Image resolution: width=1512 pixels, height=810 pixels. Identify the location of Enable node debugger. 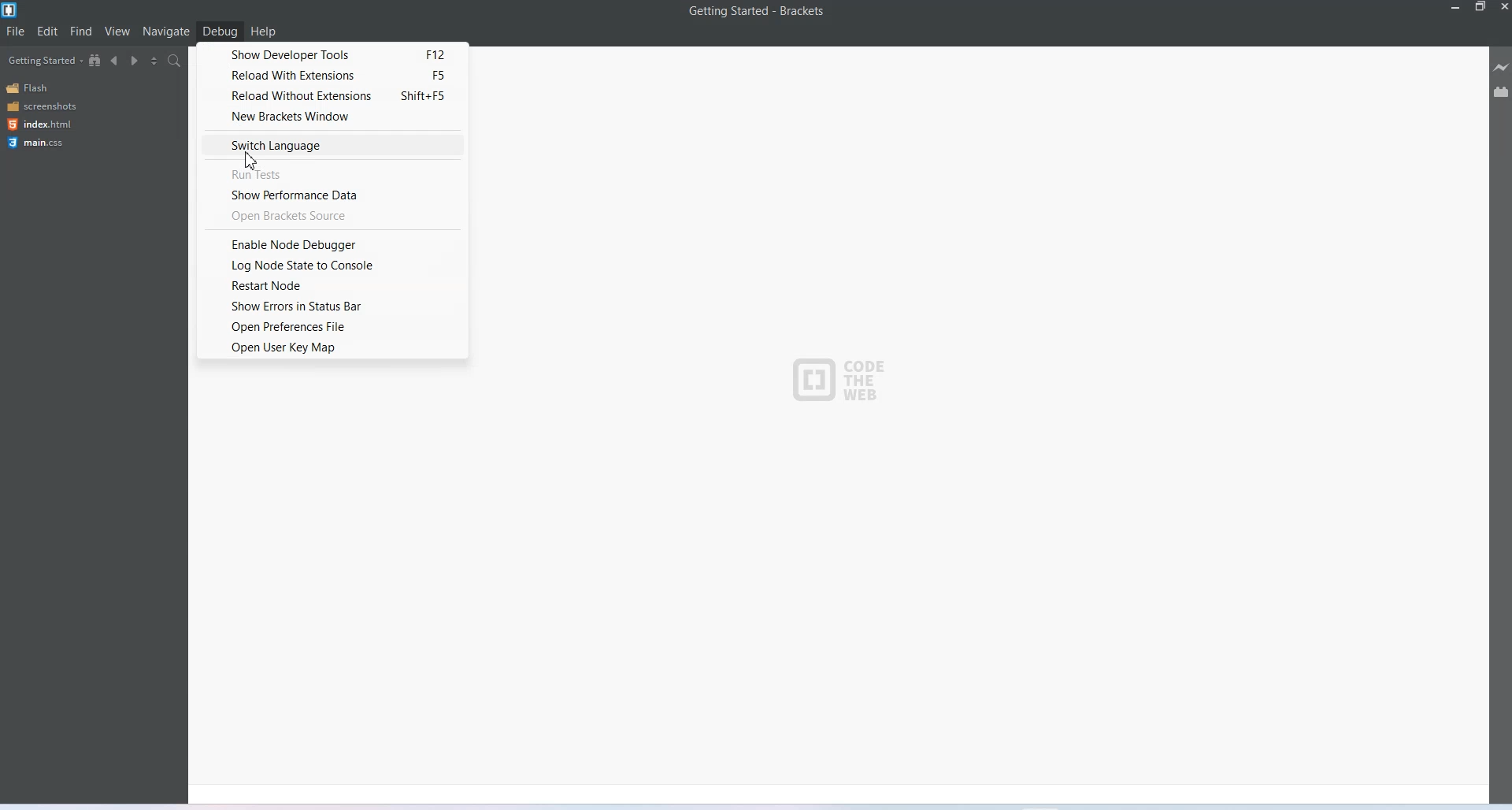
(332, 243).